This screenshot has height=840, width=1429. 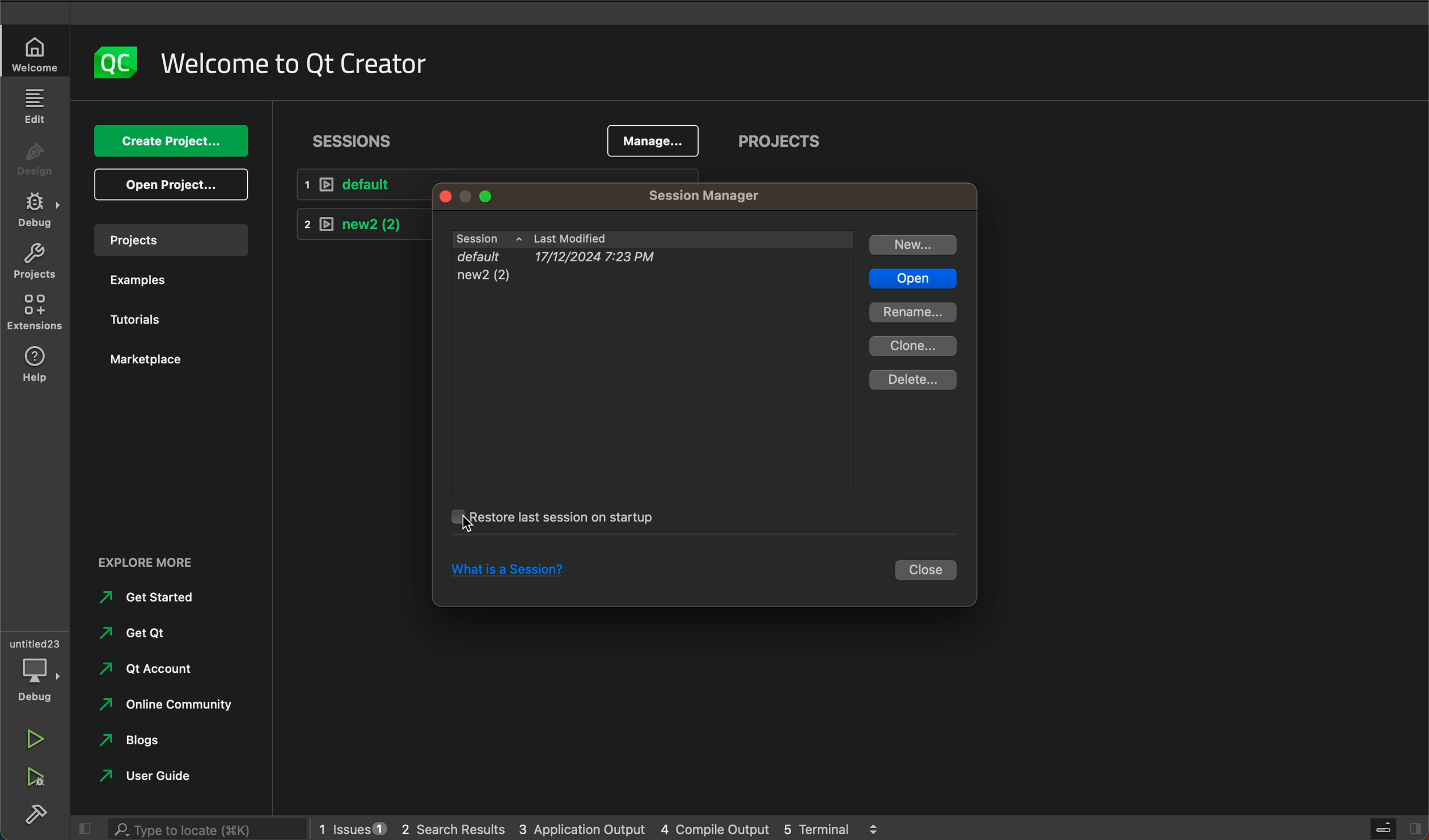 What do you see at coordinates (915, 244) in the screenshot?
I see `new` at bounding box center [915, 244].